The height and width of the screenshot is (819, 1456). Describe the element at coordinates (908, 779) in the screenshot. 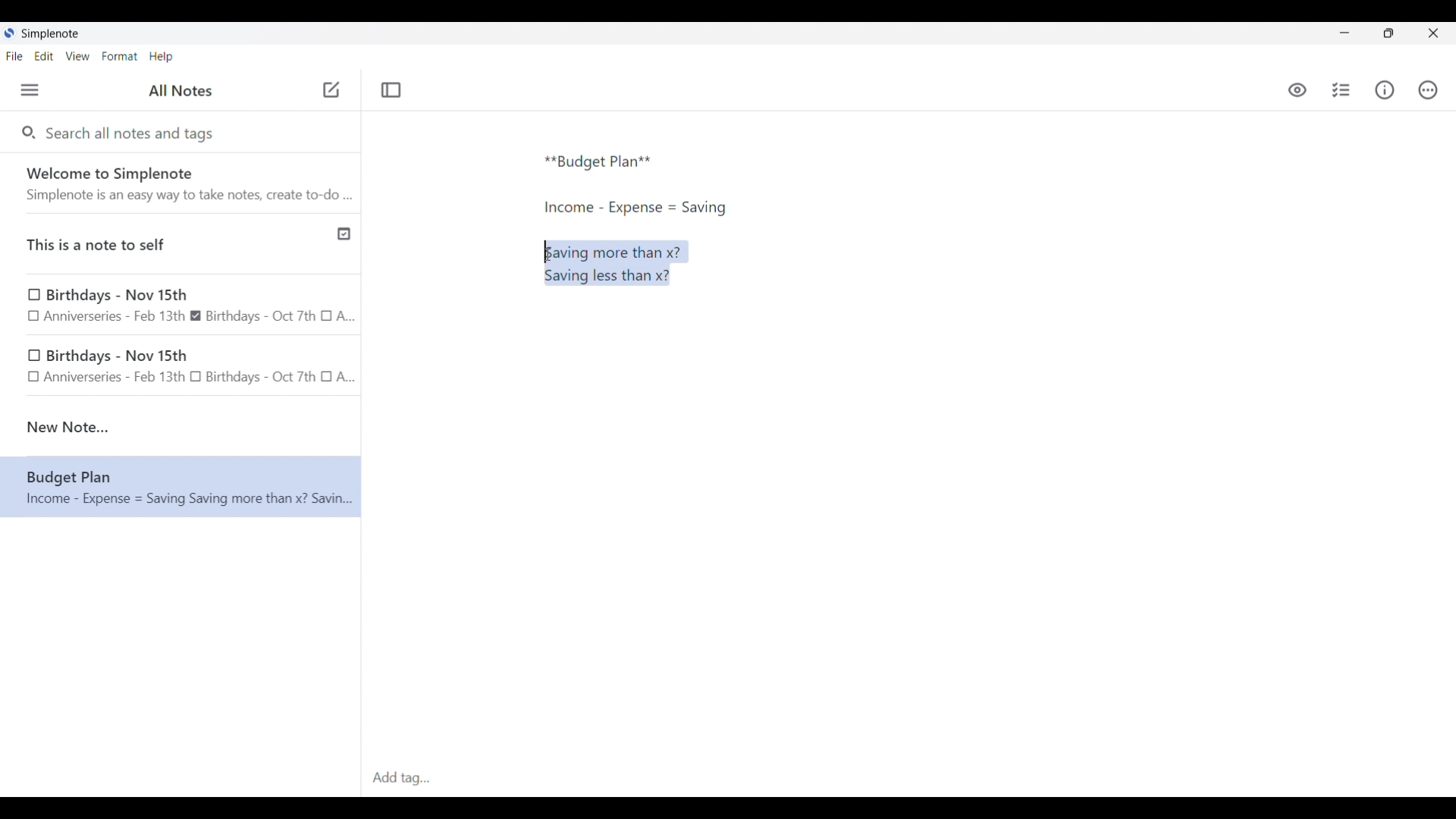

I see `Click to type in tags` at that location.